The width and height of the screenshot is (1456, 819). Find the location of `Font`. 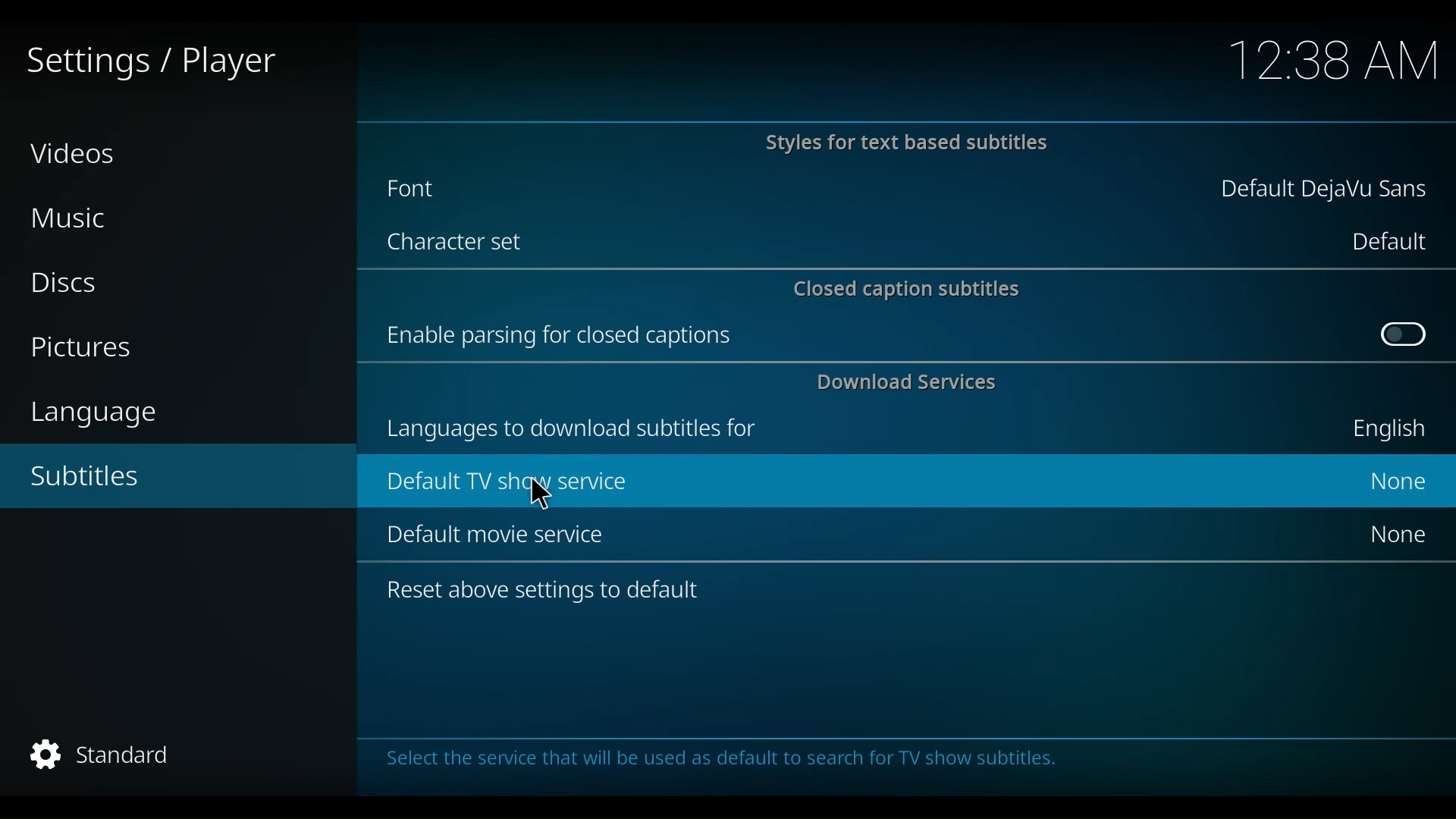

Font is located at coordinates (430, 188).